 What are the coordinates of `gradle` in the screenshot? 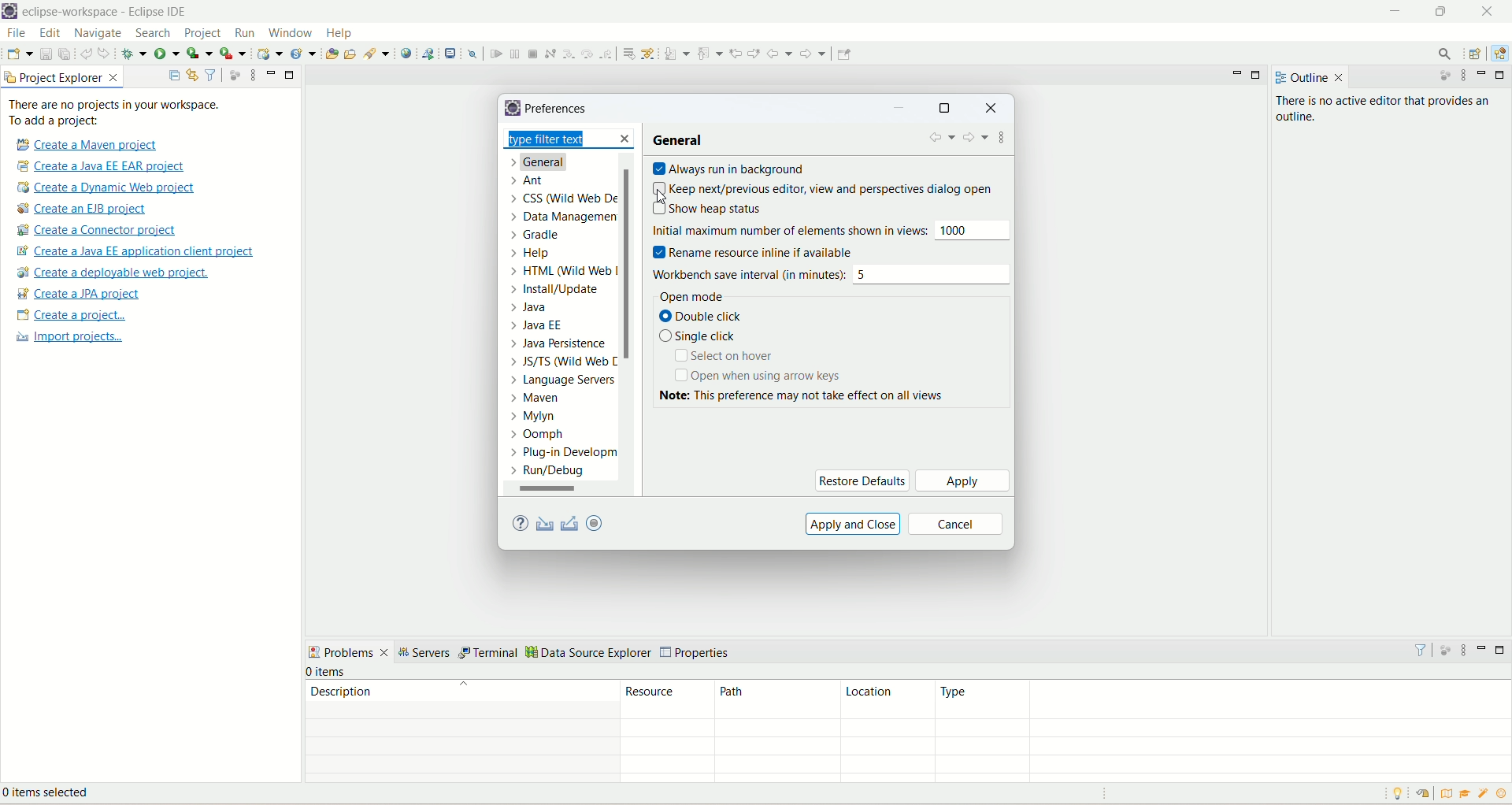 It's located at (540, 237).